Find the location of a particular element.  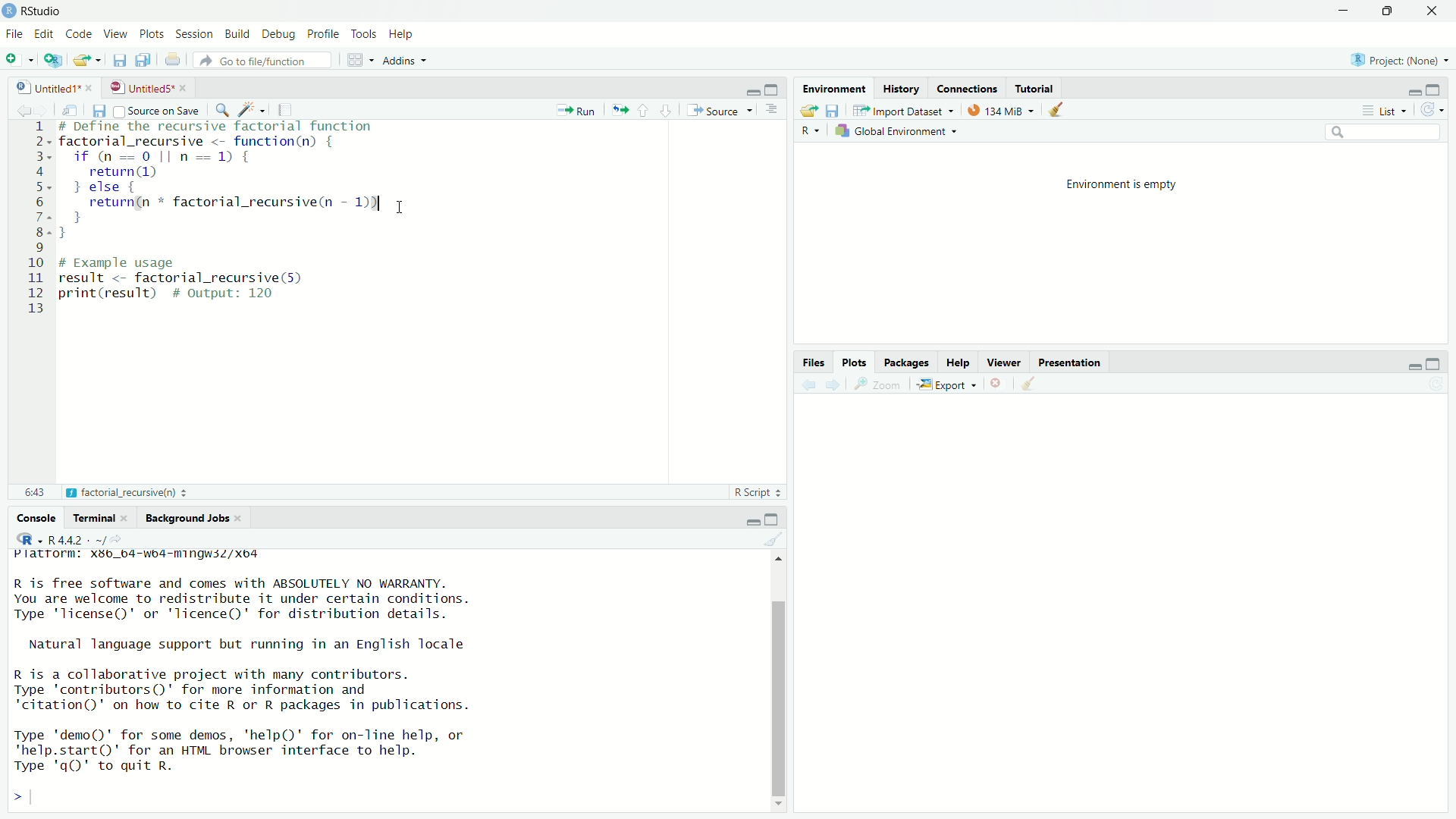

History is located at coordinates (899, 86).